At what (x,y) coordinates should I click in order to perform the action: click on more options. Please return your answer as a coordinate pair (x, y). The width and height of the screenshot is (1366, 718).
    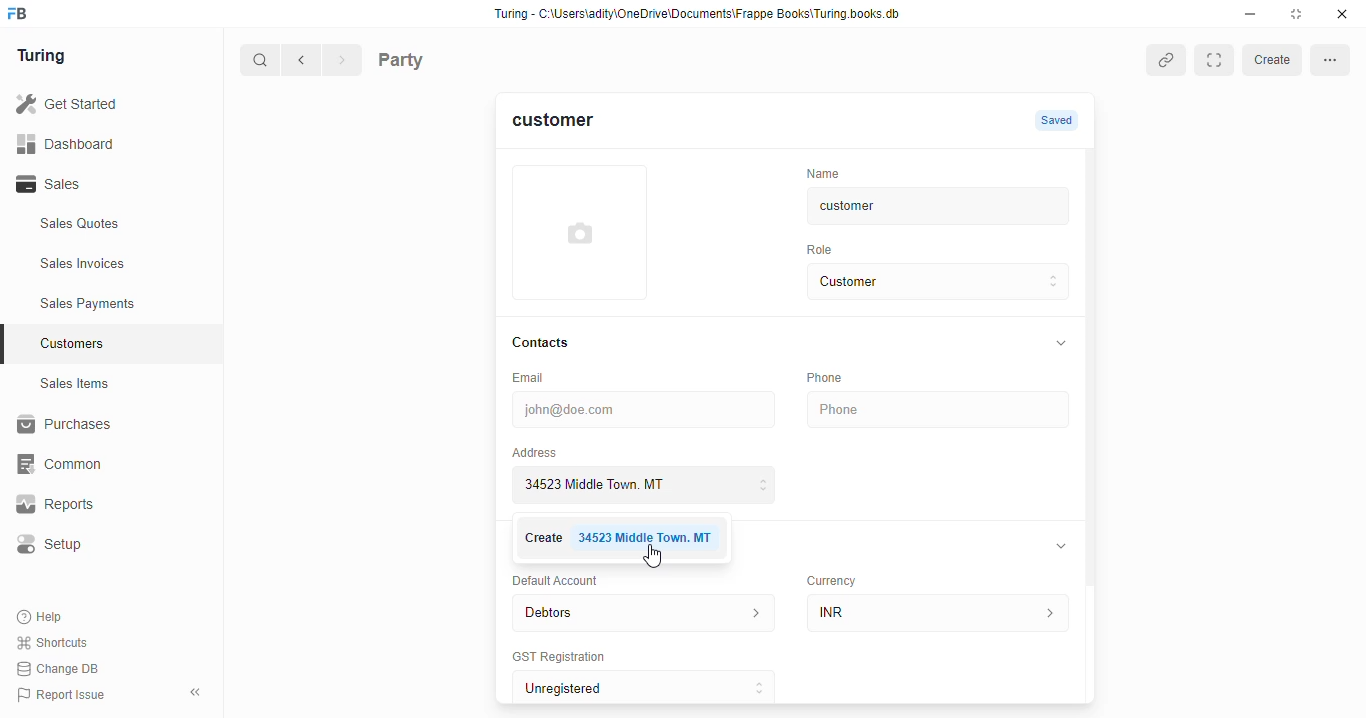
    Looking at the image, I should click on (1332, 61).